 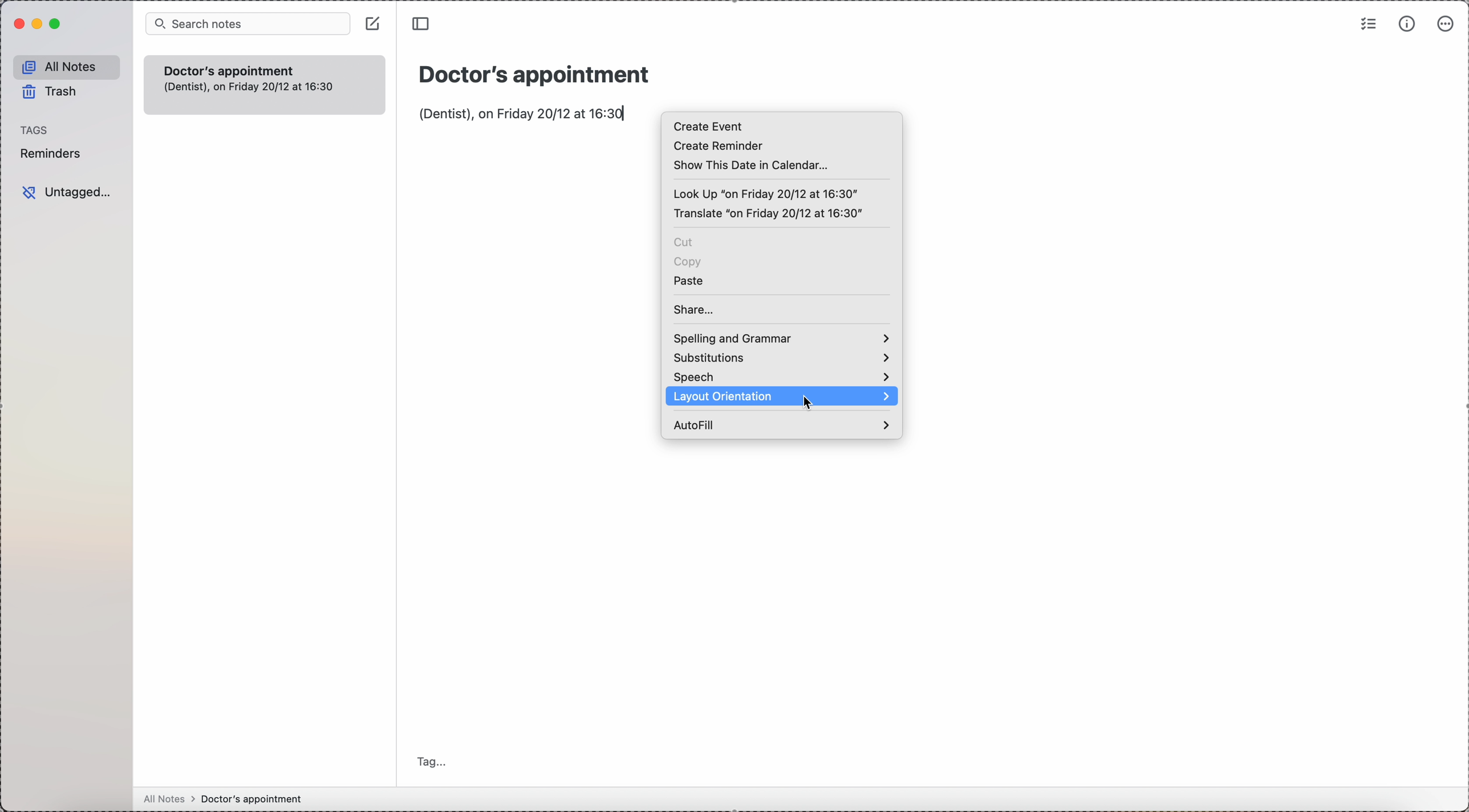 What do you see at coordinates (768, 193) in the screenshot?
I see `look up on friday 20/12 at 16:30` at bounding box center [768, 193].